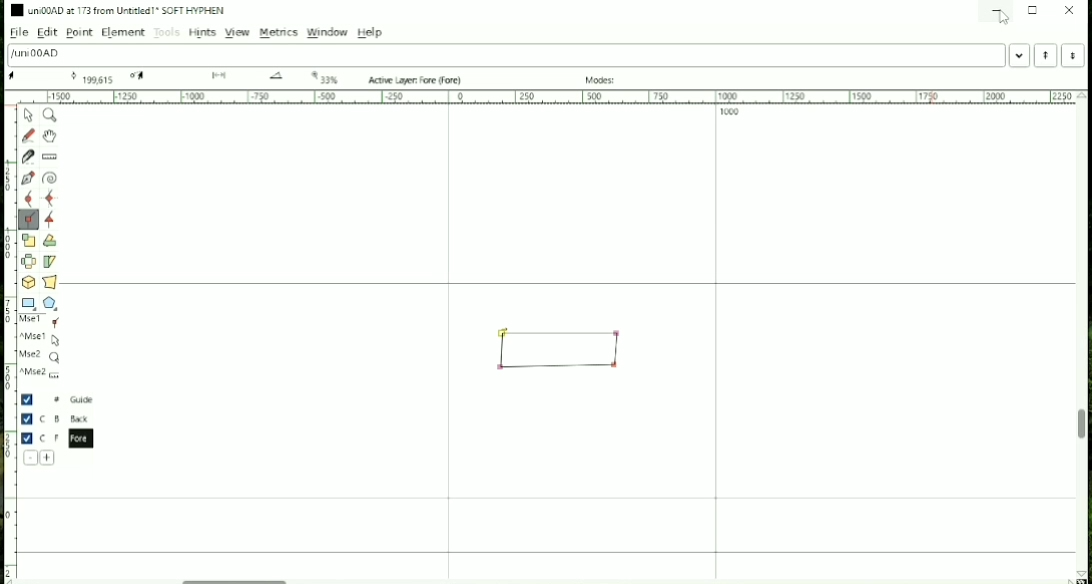 The image size is (1092, 584). I want to click on Rotate the selection in 3D and project back to plane, so click(28, 282).